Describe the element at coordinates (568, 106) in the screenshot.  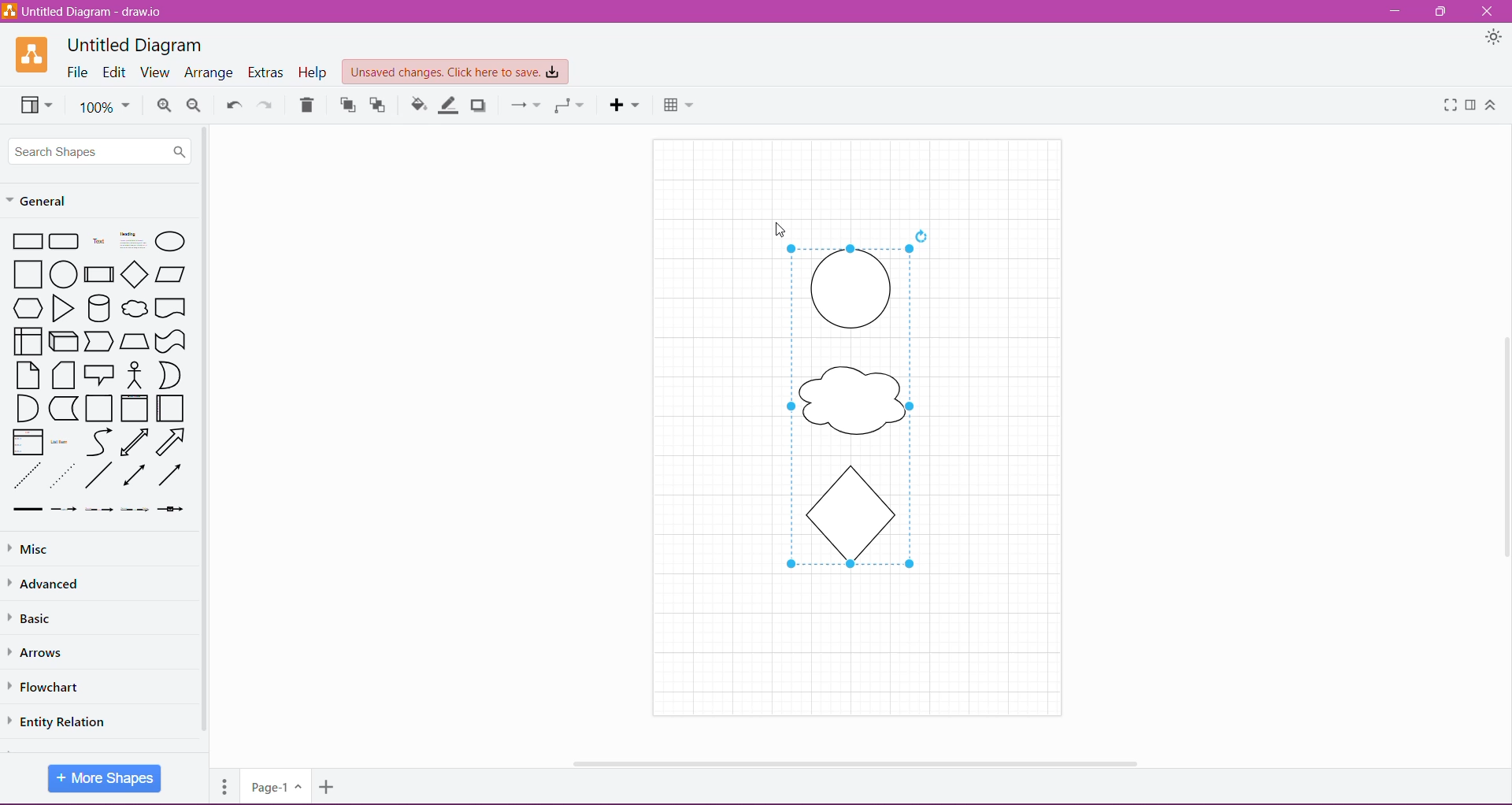
I see `Waypoints` at that location.